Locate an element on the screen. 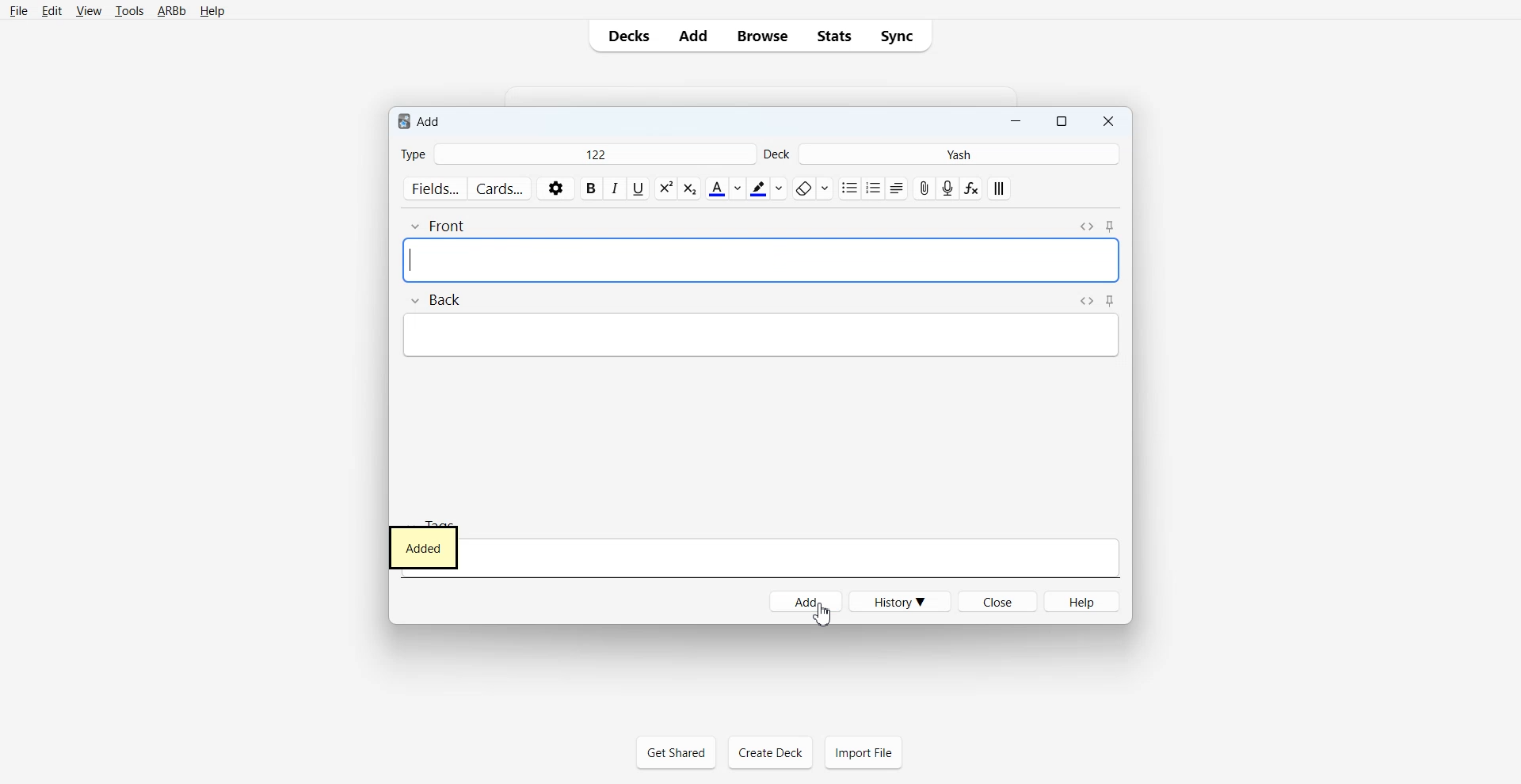  help is located at coordinates (1088, 600).